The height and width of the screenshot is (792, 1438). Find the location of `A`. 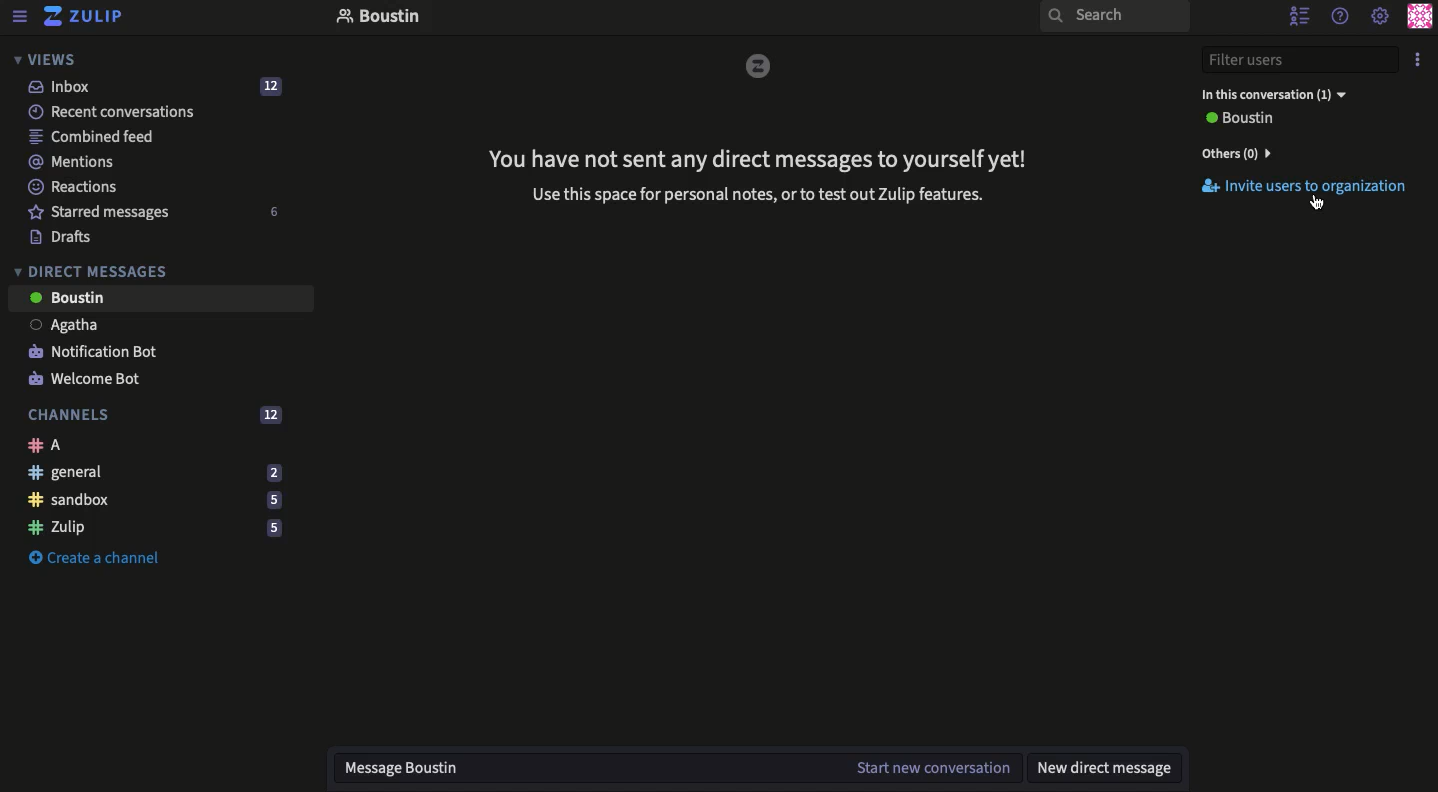

A is located at coordinates (39, 445).